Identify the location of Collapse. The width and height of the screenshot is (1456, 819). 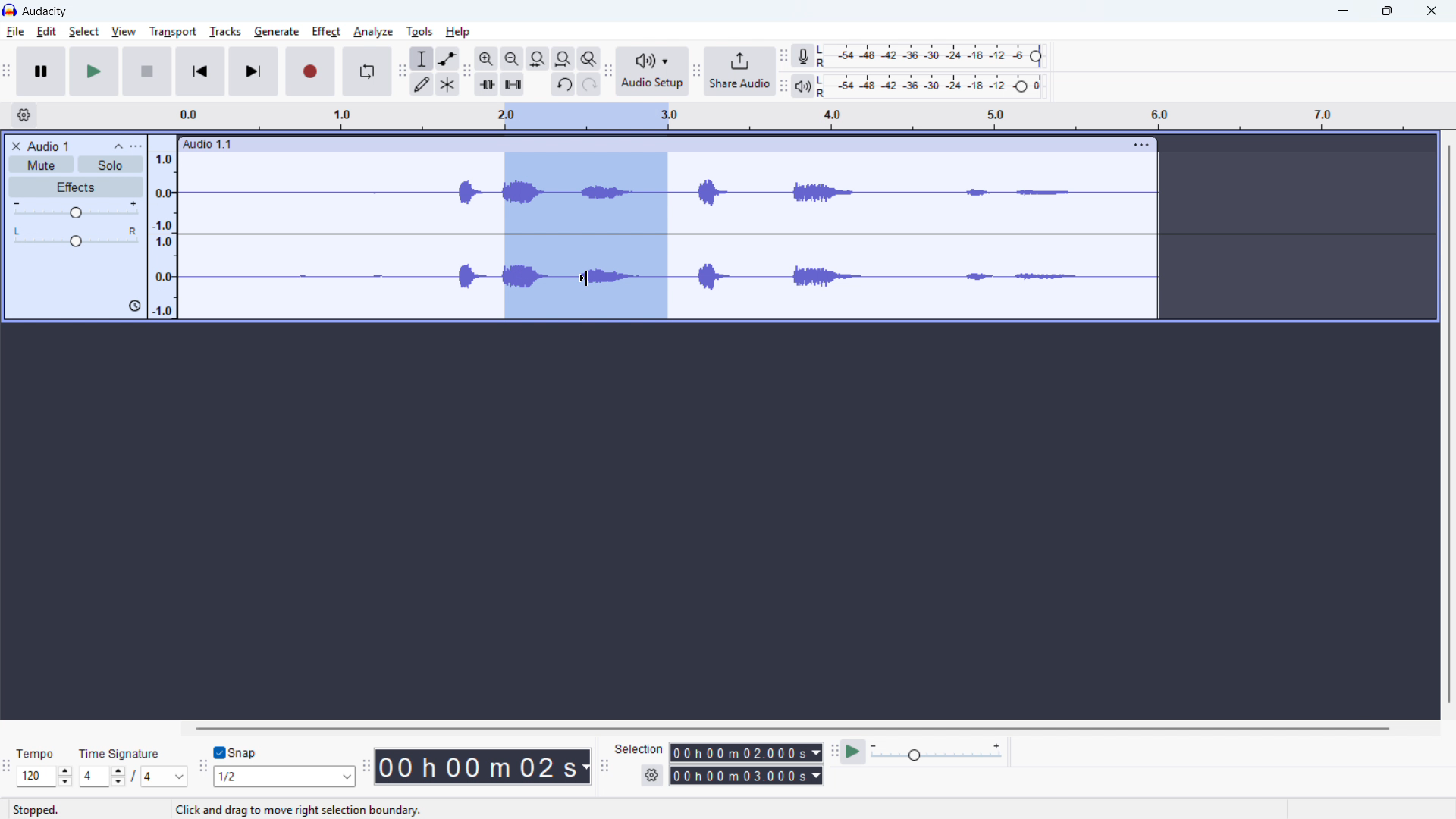
(118, 146).